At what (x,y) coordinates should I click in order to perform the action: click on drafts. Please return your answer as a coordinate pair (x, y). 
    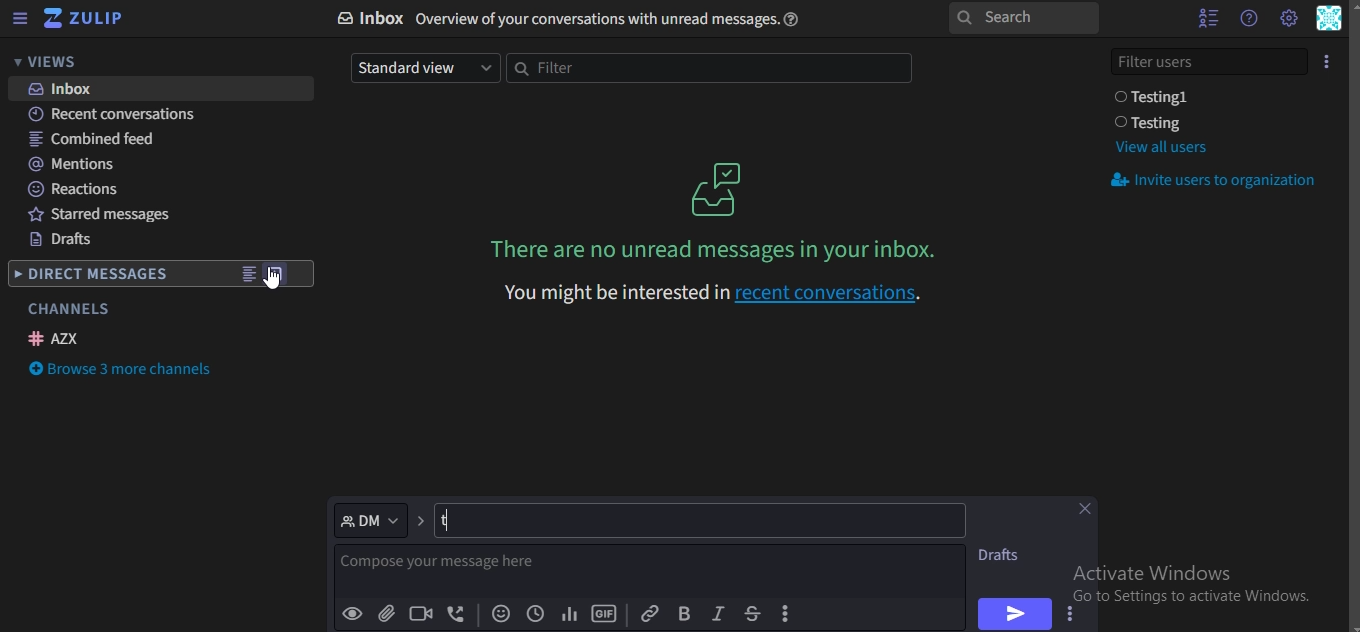
    Looking at the image, I should click on (63, 242).